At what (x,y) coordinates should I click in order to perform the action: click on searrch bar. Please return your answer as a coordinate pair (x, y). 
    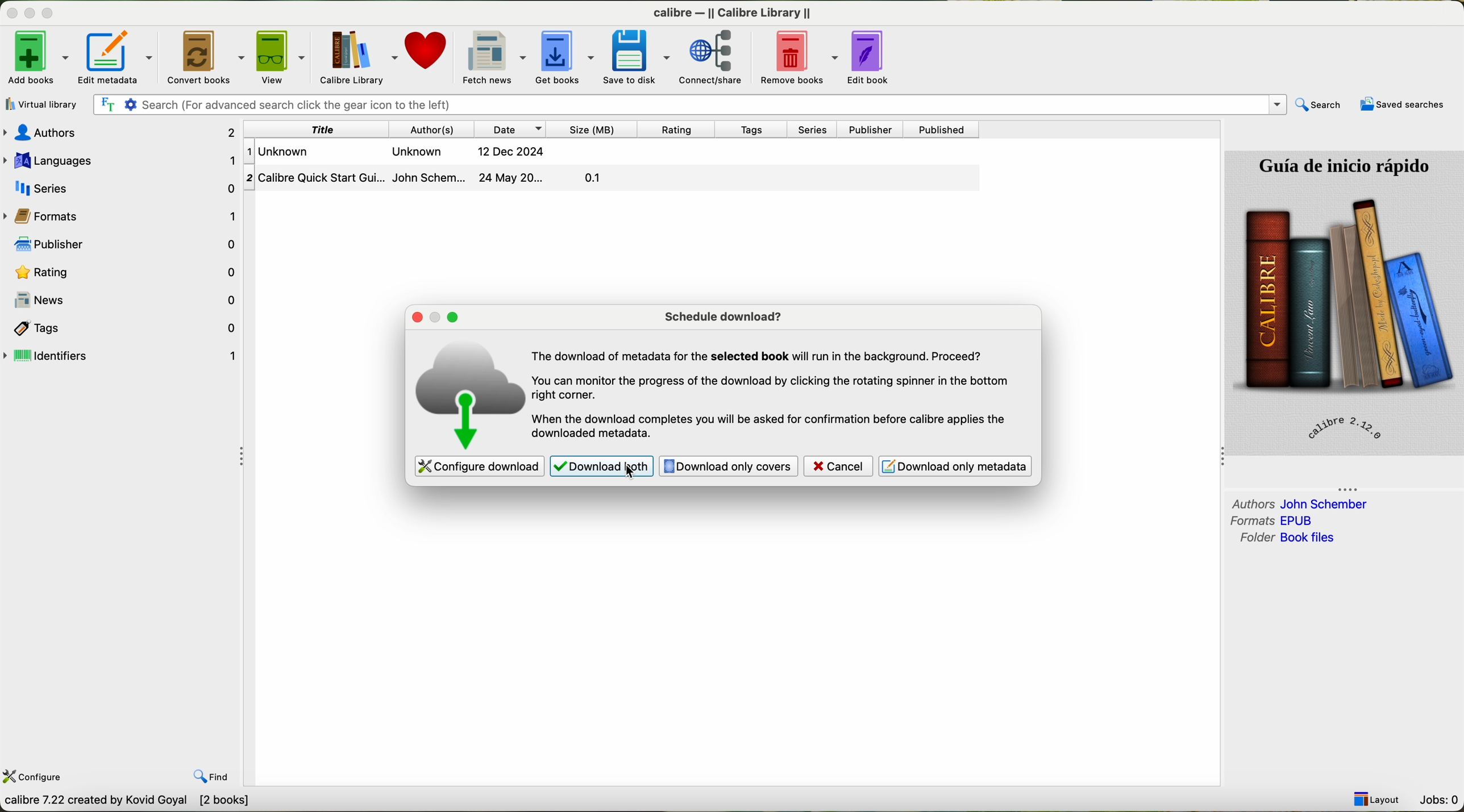
    Looking at the image, I should click on (693, 104).